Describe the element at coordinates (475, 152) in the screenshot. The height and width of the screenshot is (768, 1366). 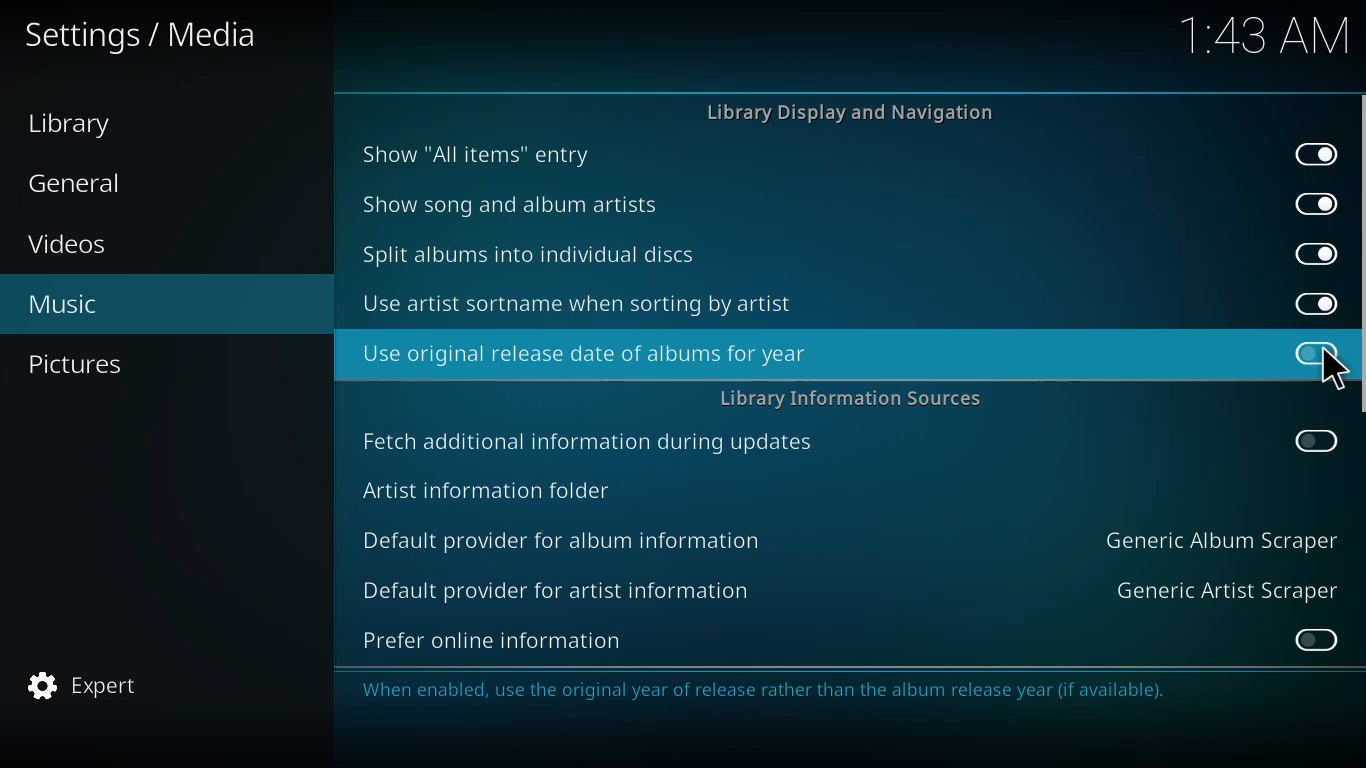
I see `show all items` at that location.